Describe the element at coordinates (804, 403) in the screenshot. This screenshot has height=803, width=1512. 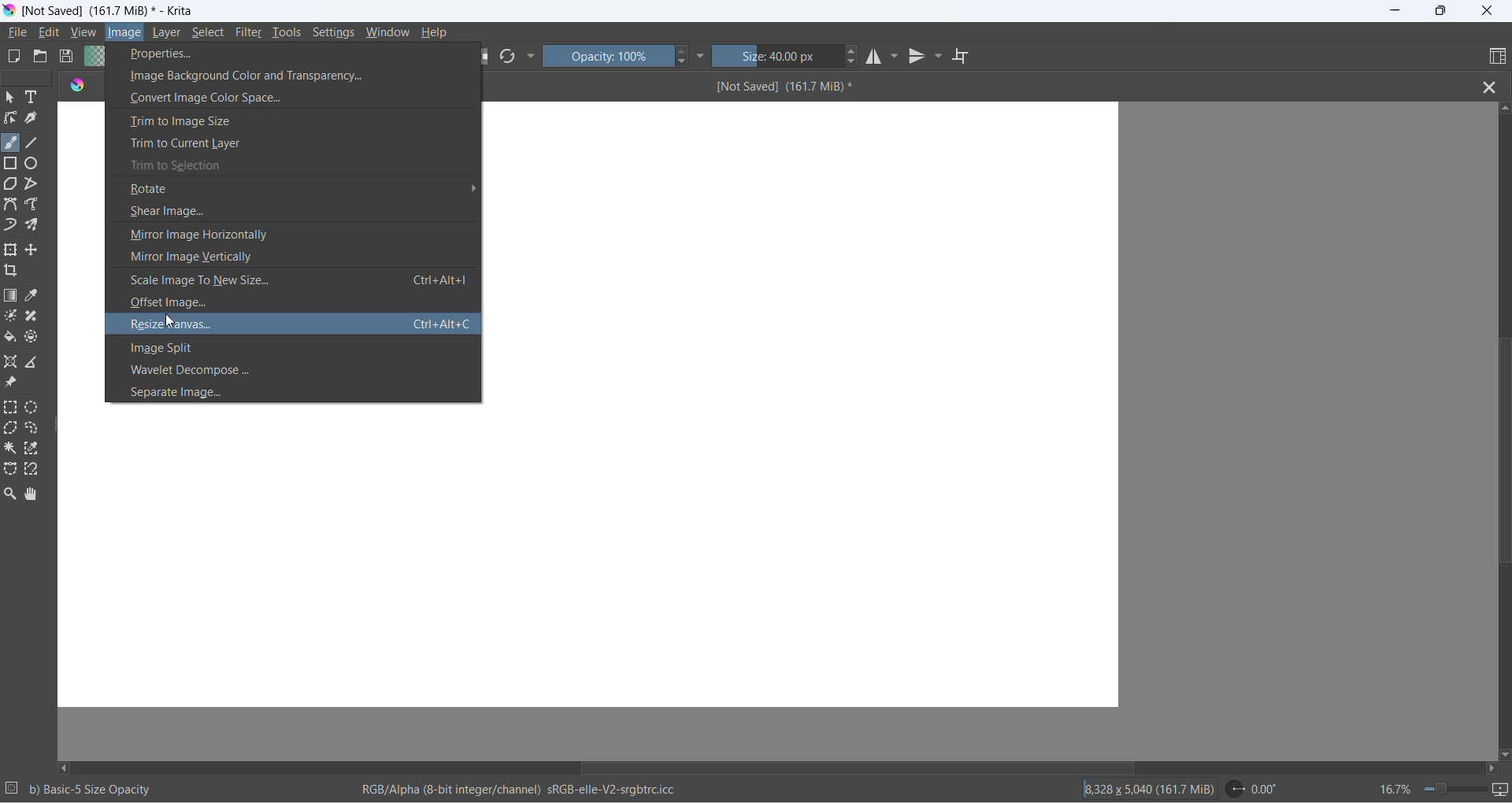
I see `canvas size` at that location.